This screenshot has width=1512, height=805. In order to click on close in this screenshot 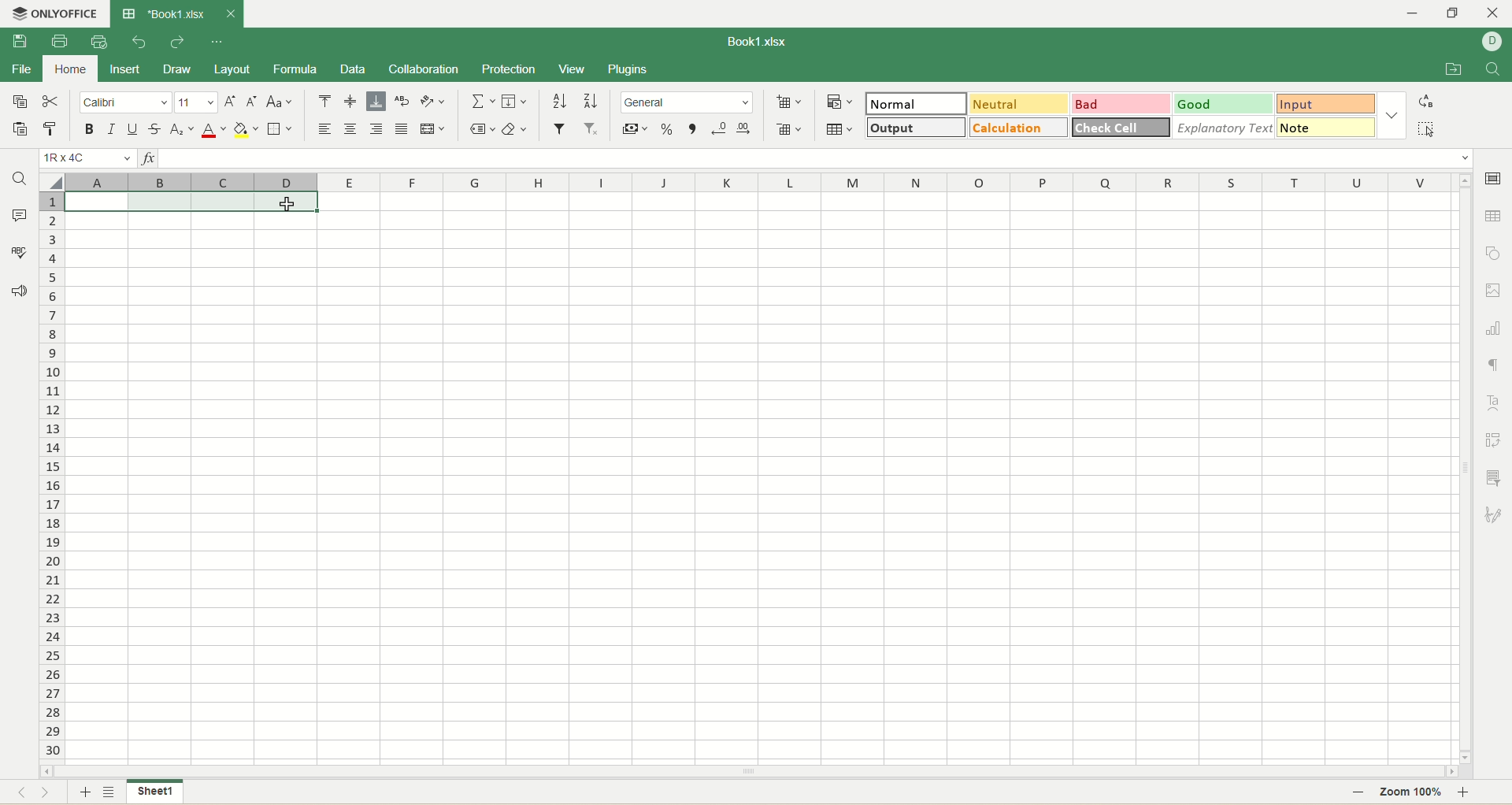, I will do `click(230, 16)`.